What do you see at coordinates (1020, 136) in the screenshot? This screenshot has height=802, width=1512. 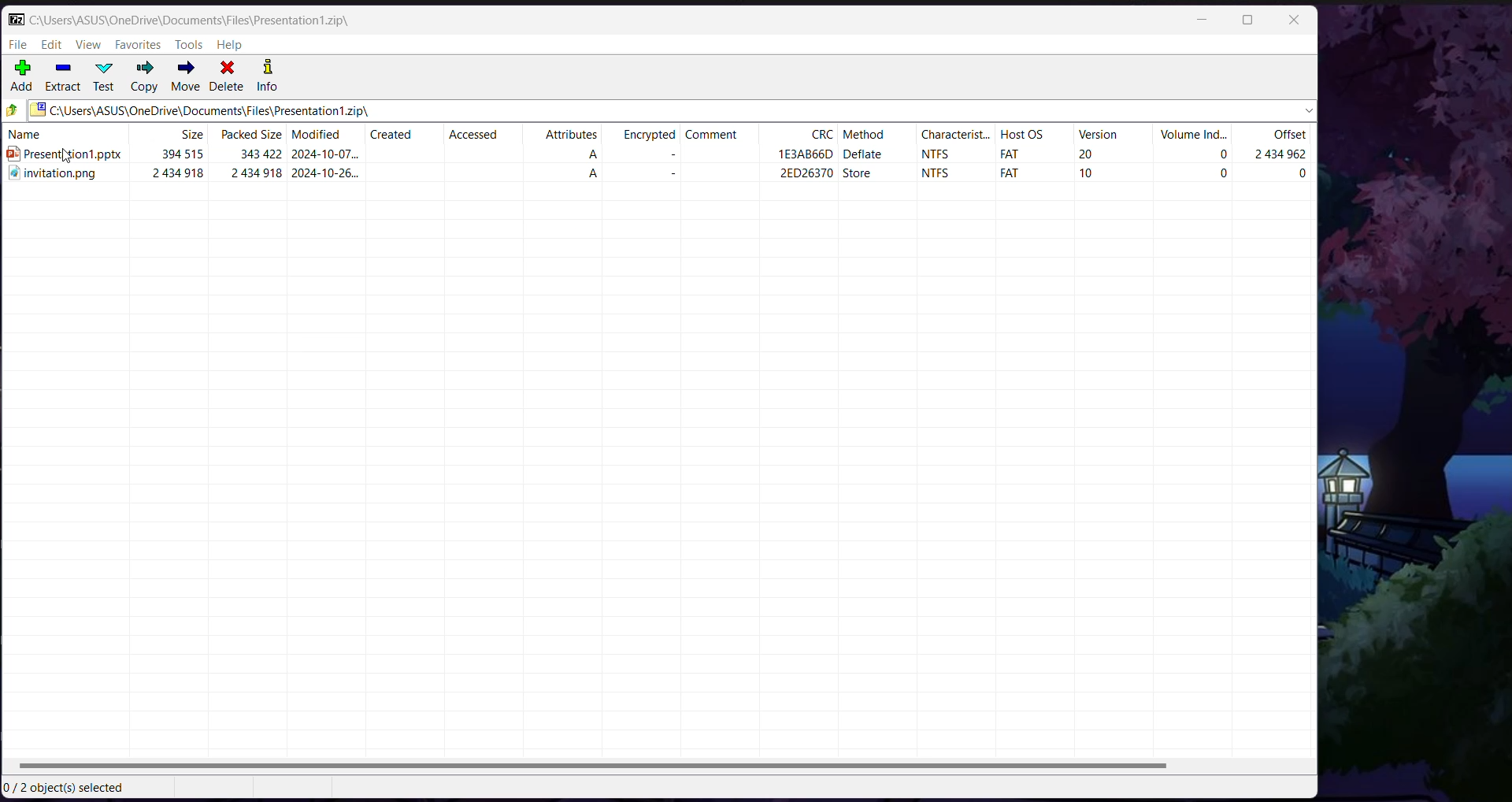 I see `Host OS` at bounding box center [1020, 136].